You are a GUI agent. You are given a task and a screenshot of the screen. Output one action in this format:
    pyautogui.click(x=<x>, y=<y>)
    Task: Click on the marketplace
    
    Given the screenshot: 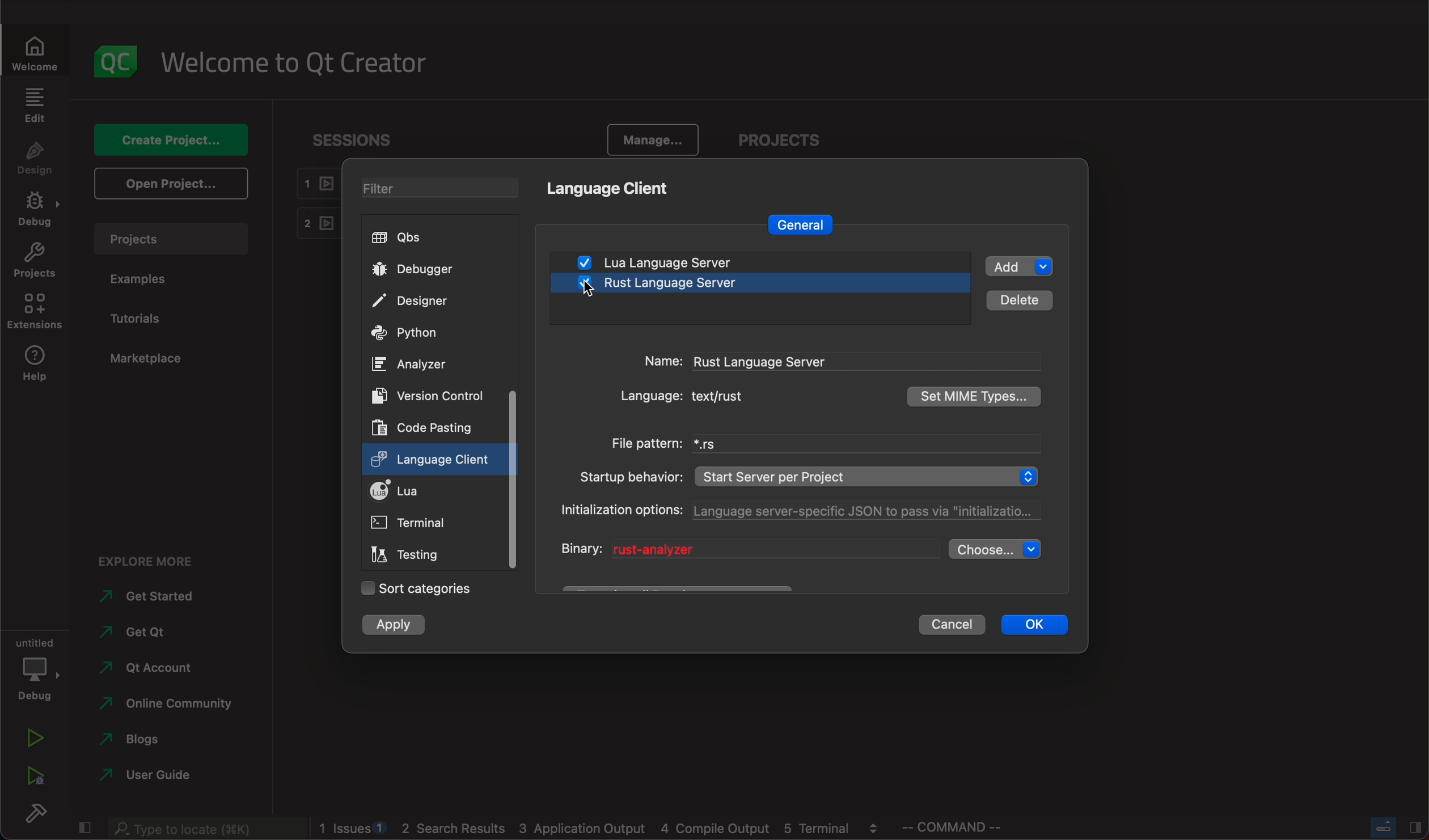 What is the action you would take?
    pyautogui.click(x=146, y=360)
    